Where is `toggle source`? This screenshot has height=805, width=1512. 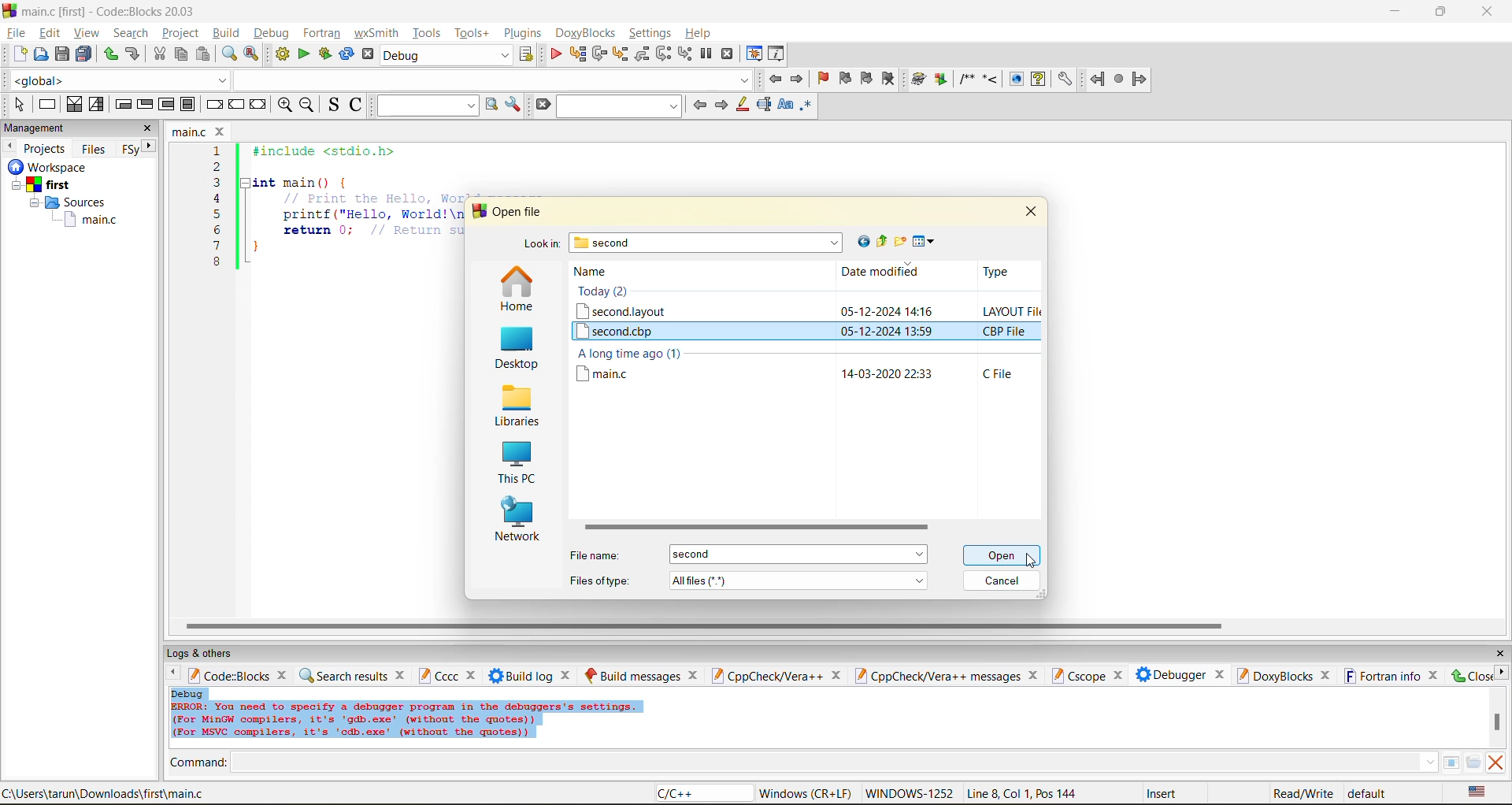 toggle source is located at coordinates (335, 104).